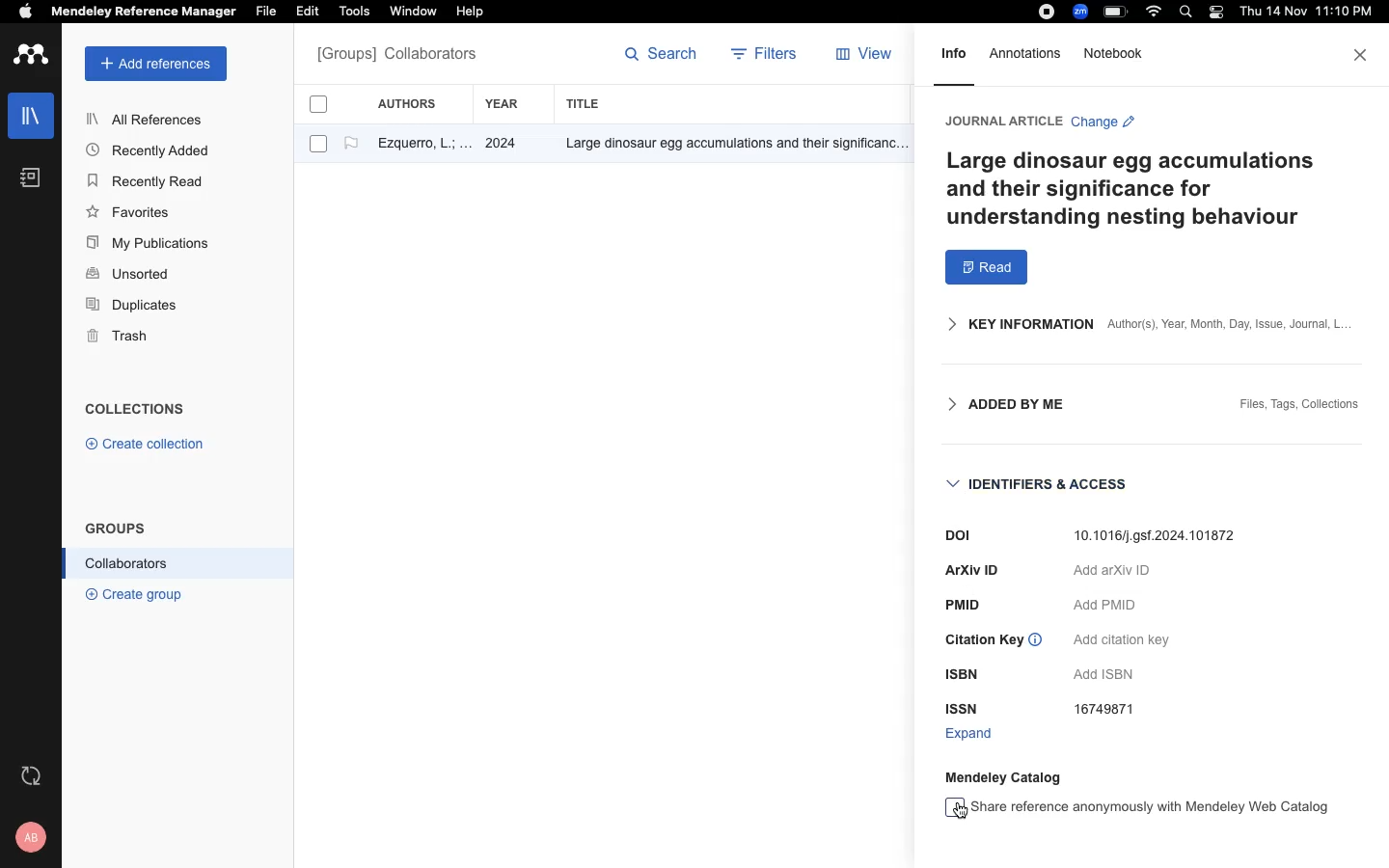 The image size is (1389, 868). Describe the element at coordinates (26, 14) in the screenshot. I see `apple logo` at that location.